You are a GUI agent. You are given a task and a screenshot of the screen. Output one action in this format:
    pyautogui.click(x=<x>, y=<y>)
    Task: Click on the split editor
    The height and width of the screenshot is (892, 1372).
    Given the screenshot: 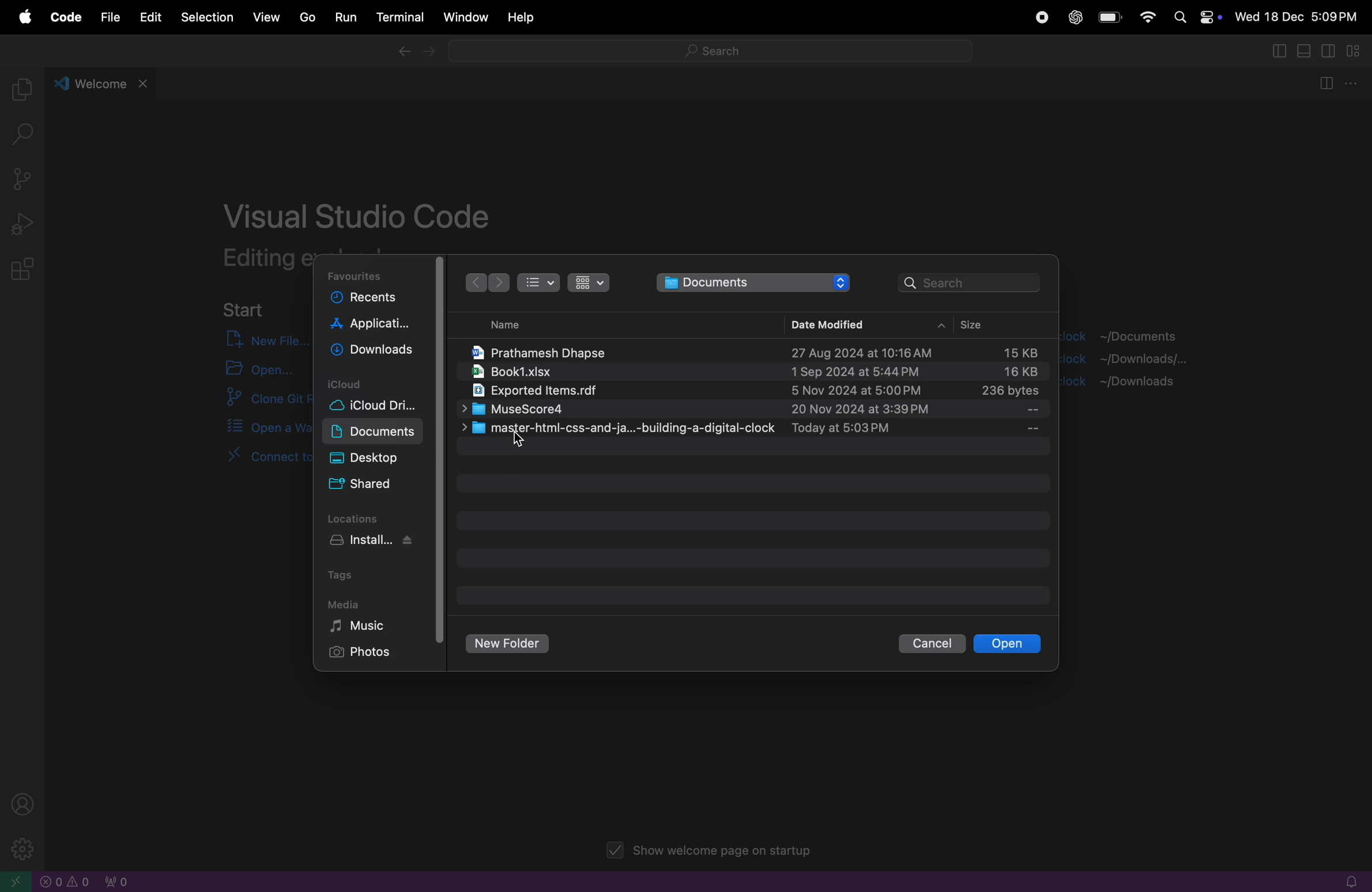 What is the action you would take?
    pyautogui.click(x=1324, y=85)
    